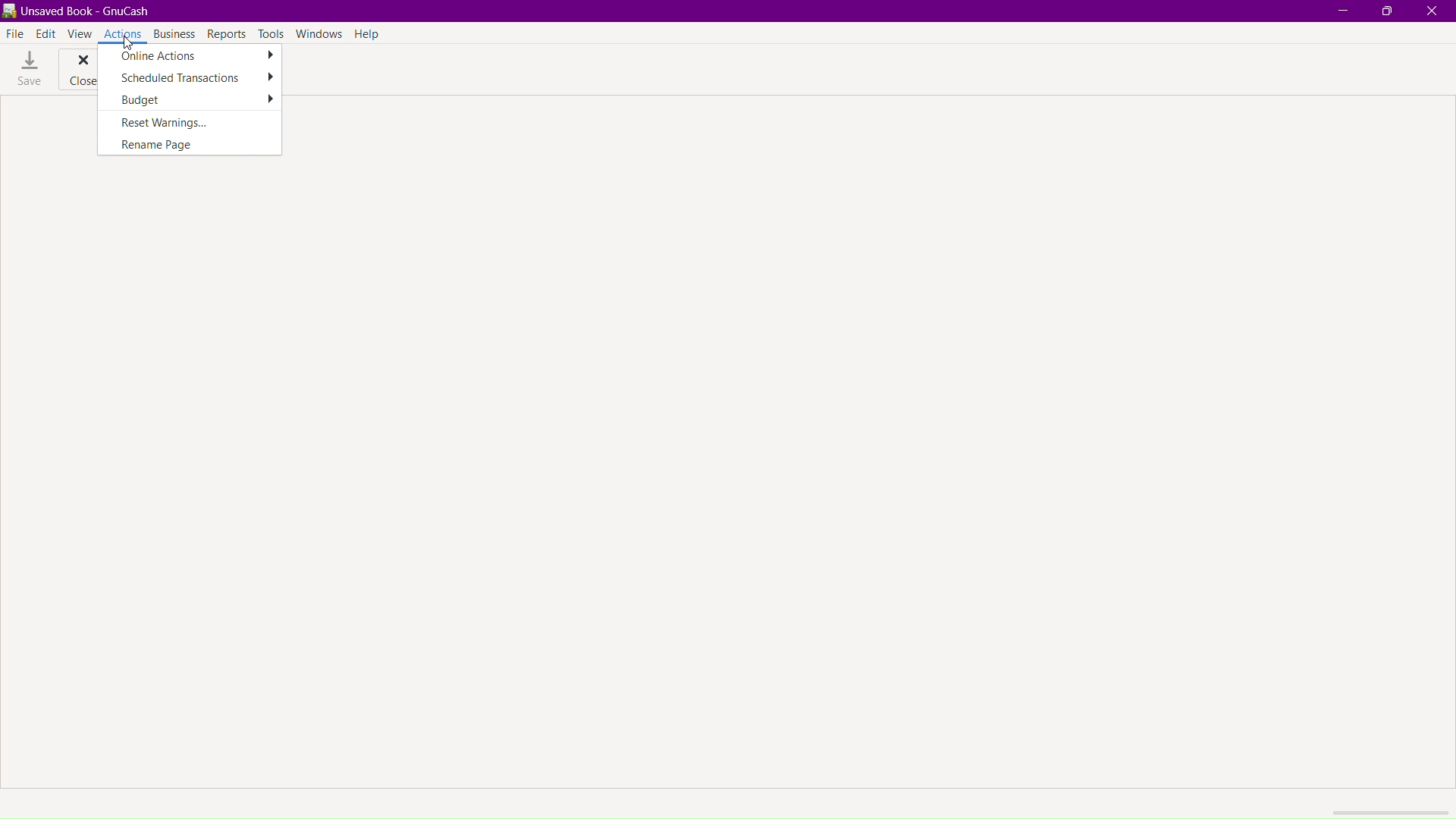  I want to click on Reports, so click(227, 32).